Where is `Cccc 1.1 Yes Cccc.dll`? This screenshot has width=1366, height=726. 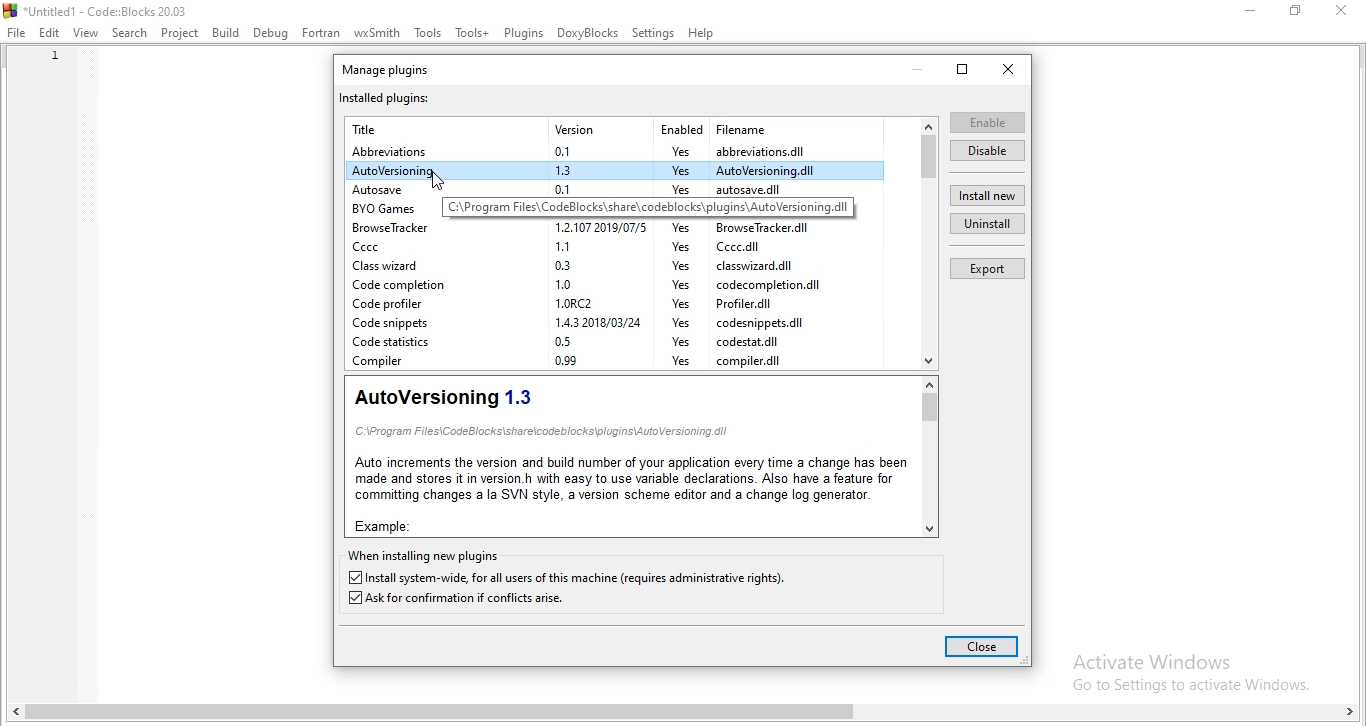 Cccc 1.1 Yes Cccc.dll is located at coordinates (585, 246).